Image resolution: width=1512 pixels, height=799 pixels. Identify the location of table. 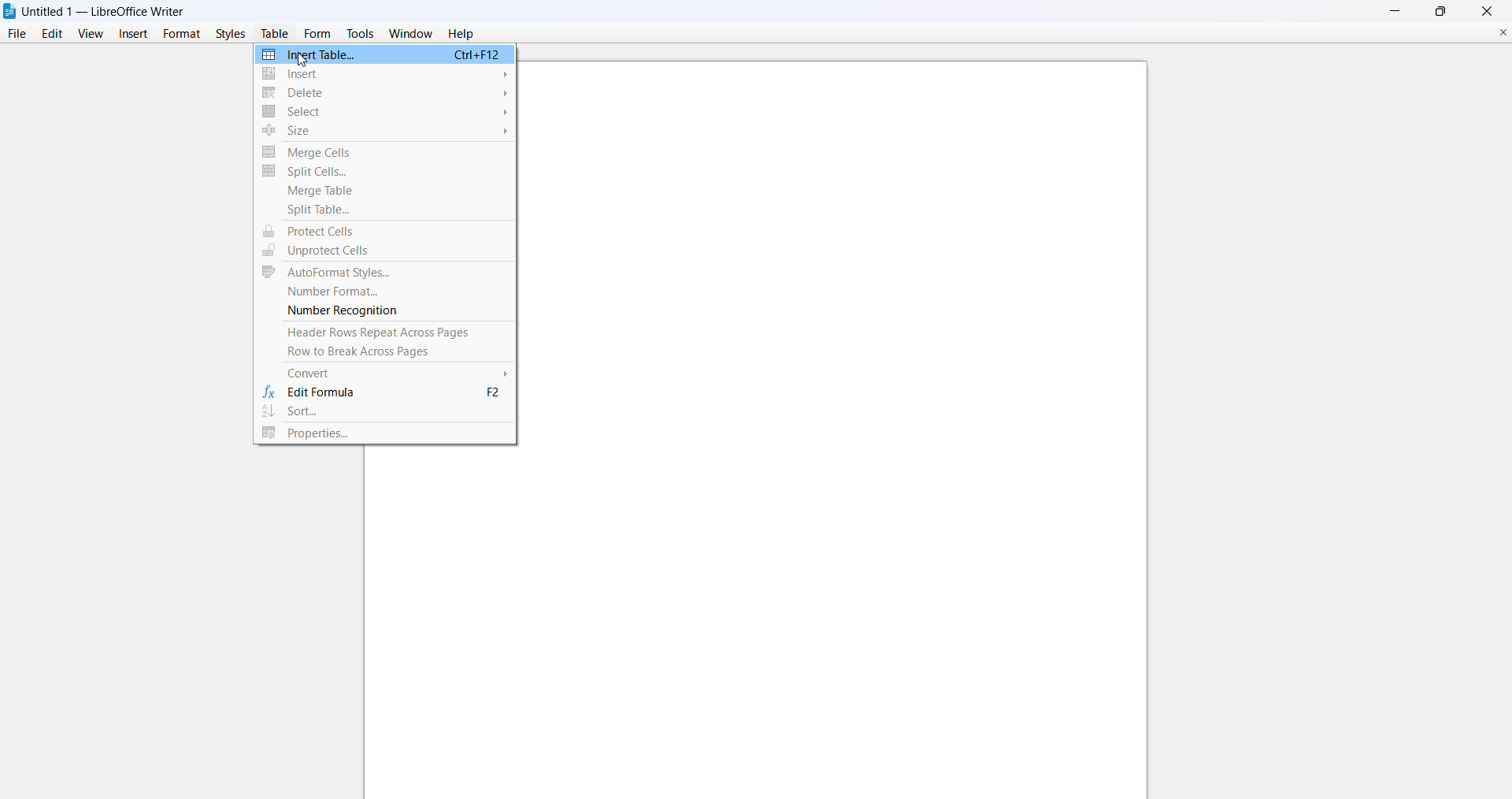
(274, 34).